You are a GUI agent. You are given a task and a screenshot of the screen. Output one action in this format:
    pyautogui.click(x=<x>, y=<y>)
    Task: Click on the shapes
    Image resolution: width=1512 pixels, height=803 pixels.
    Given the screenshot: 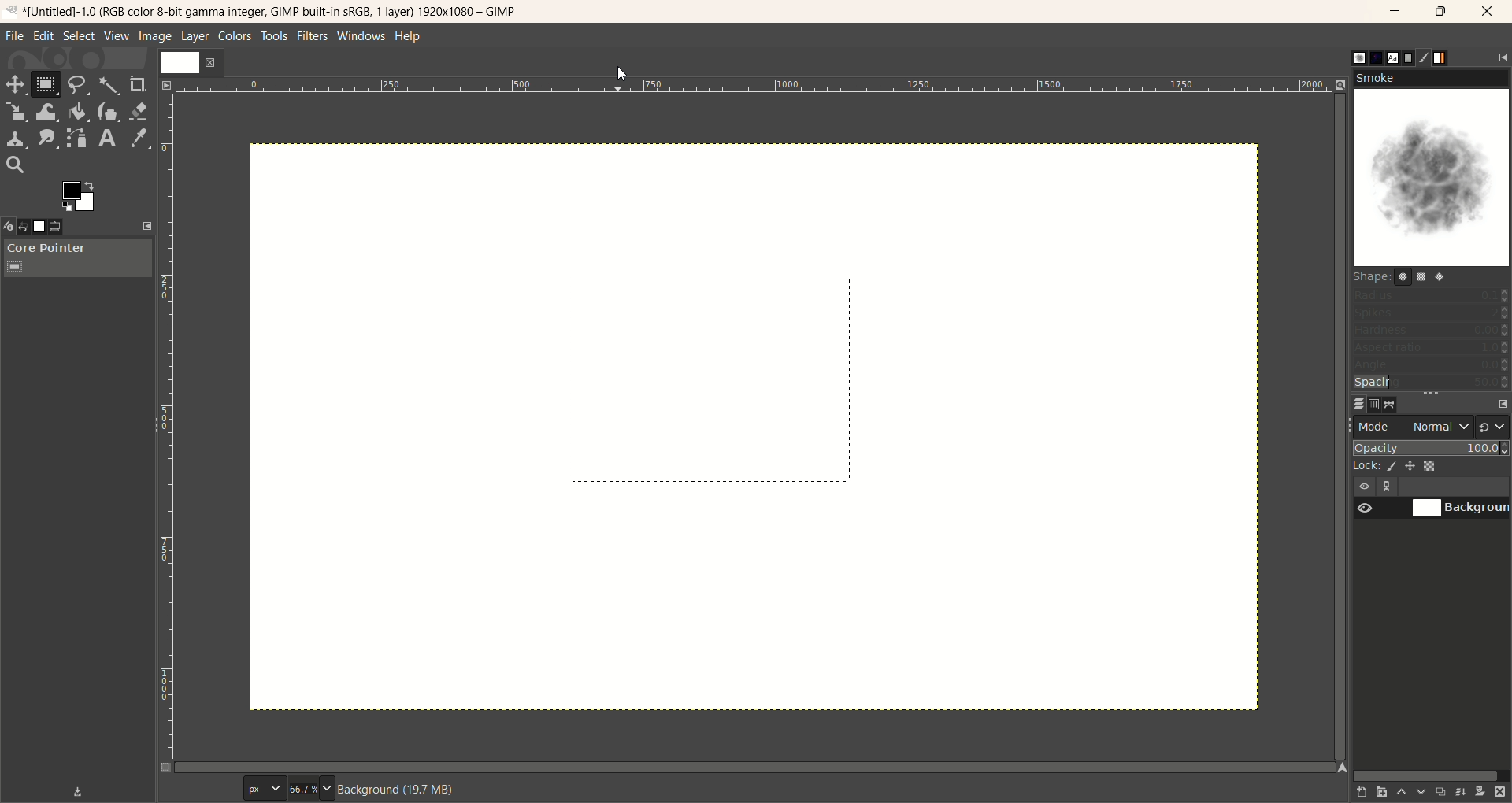 What is the action you would take?
    pyautogui.click(x=1430, y=278)
    